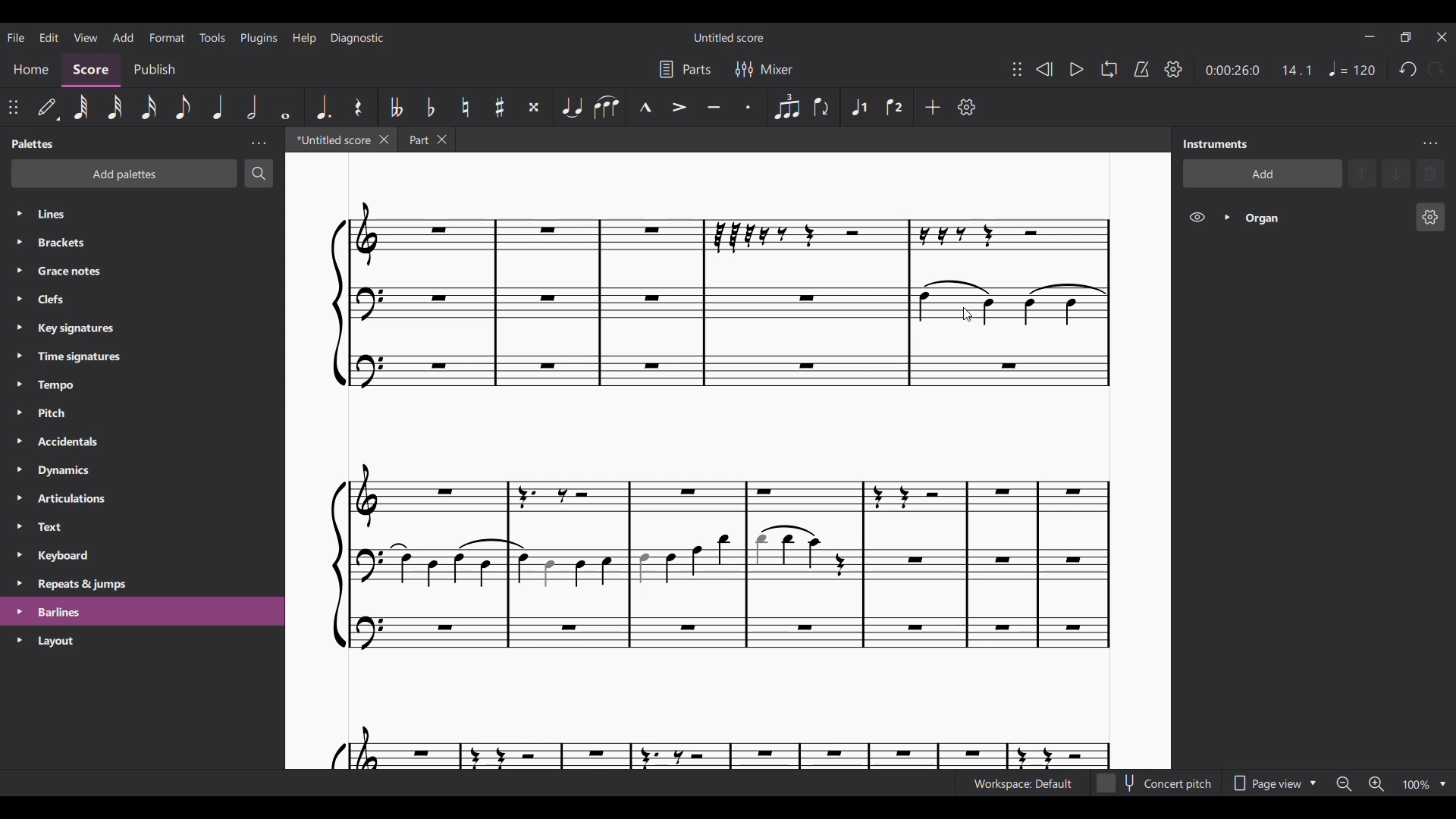 The image size is (1456, 819). Describe the element at coordinates (1016, 69) in the screenshot. I see `Change position of toolbar attached` at that location.